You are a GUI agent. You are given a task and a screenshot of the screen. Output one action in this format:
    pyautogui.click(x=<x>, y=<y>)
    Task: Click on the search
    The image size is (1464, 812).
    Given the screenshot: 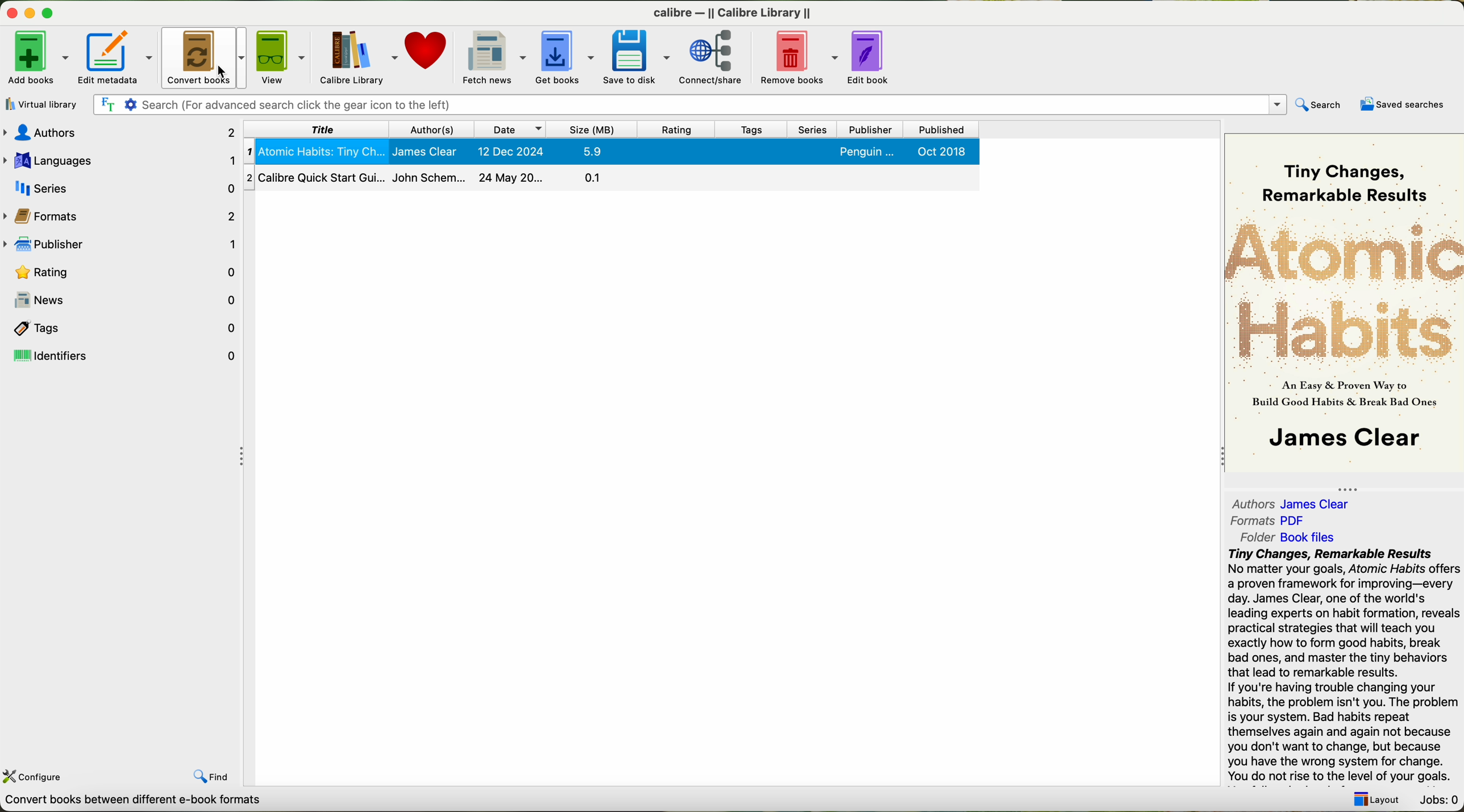 What is the action you would take?
    pyautogui.click(x=1319, y=106)
    